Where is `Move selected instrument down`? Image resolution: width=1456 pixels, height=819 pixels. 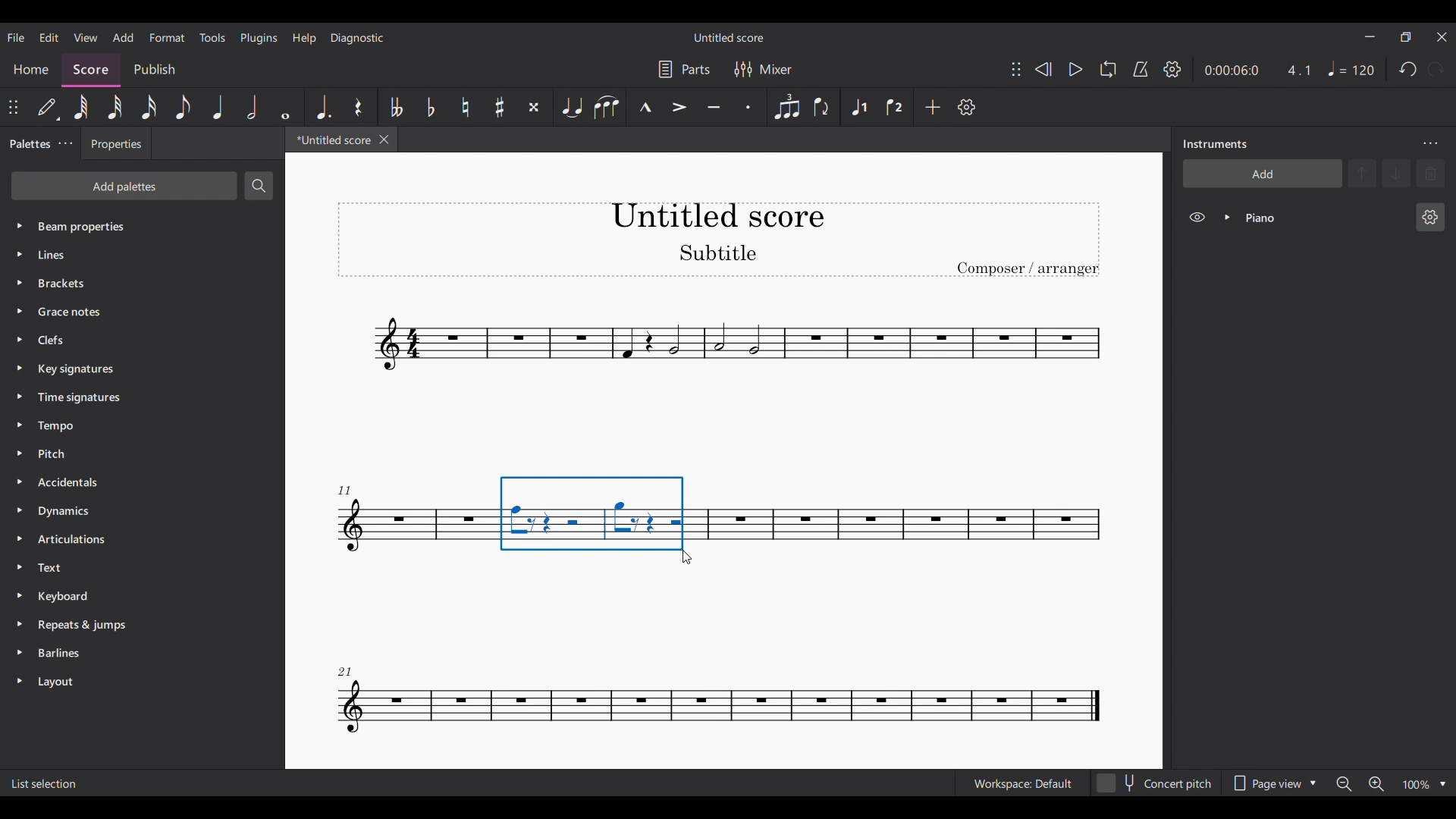
Move selected instrument down is located at coordinates (1396, 173).